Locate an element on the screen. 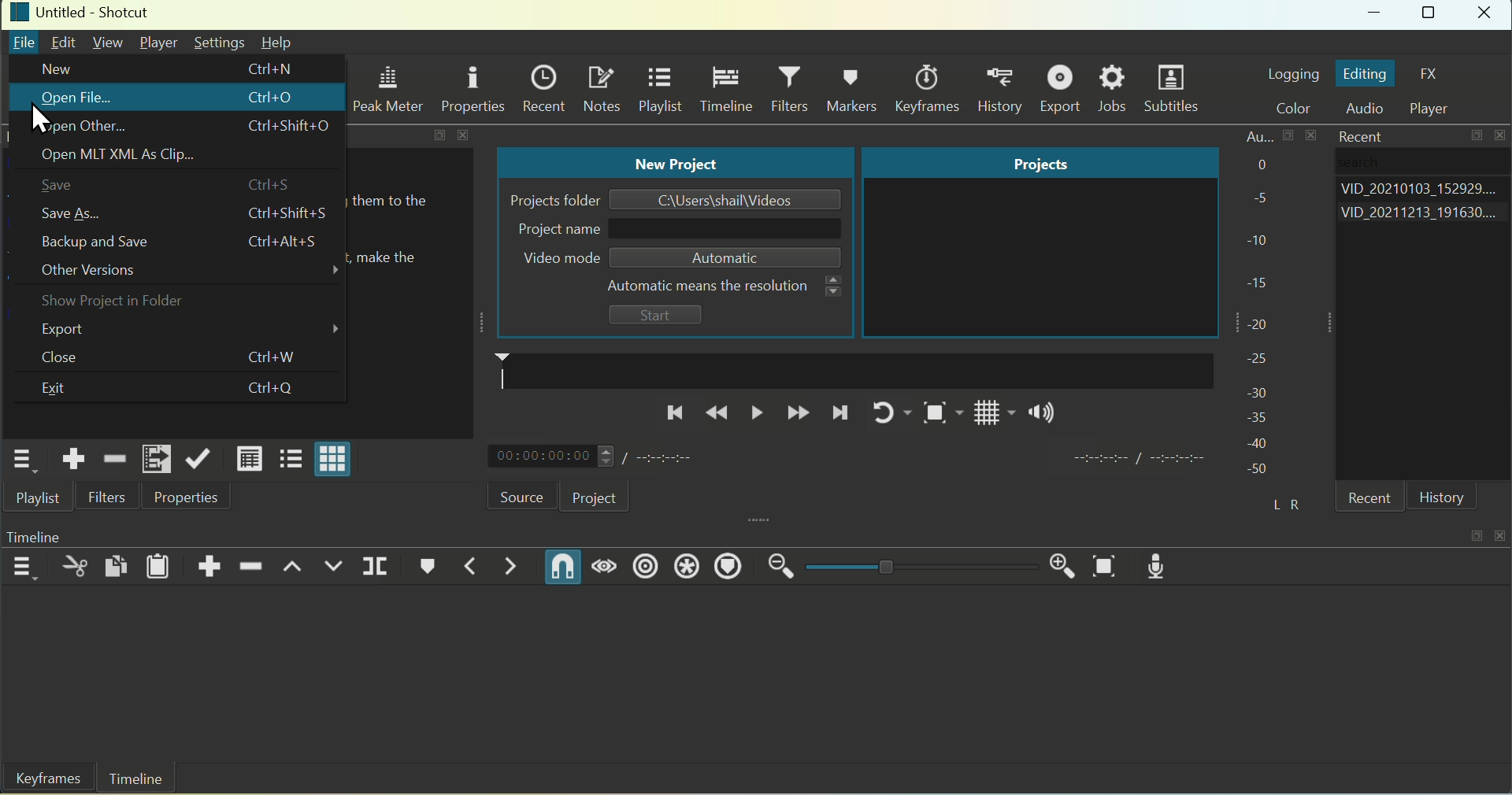 Image resolution: width=1512 pixels, height=795 pixels. View is located at coordinates (109, 41).